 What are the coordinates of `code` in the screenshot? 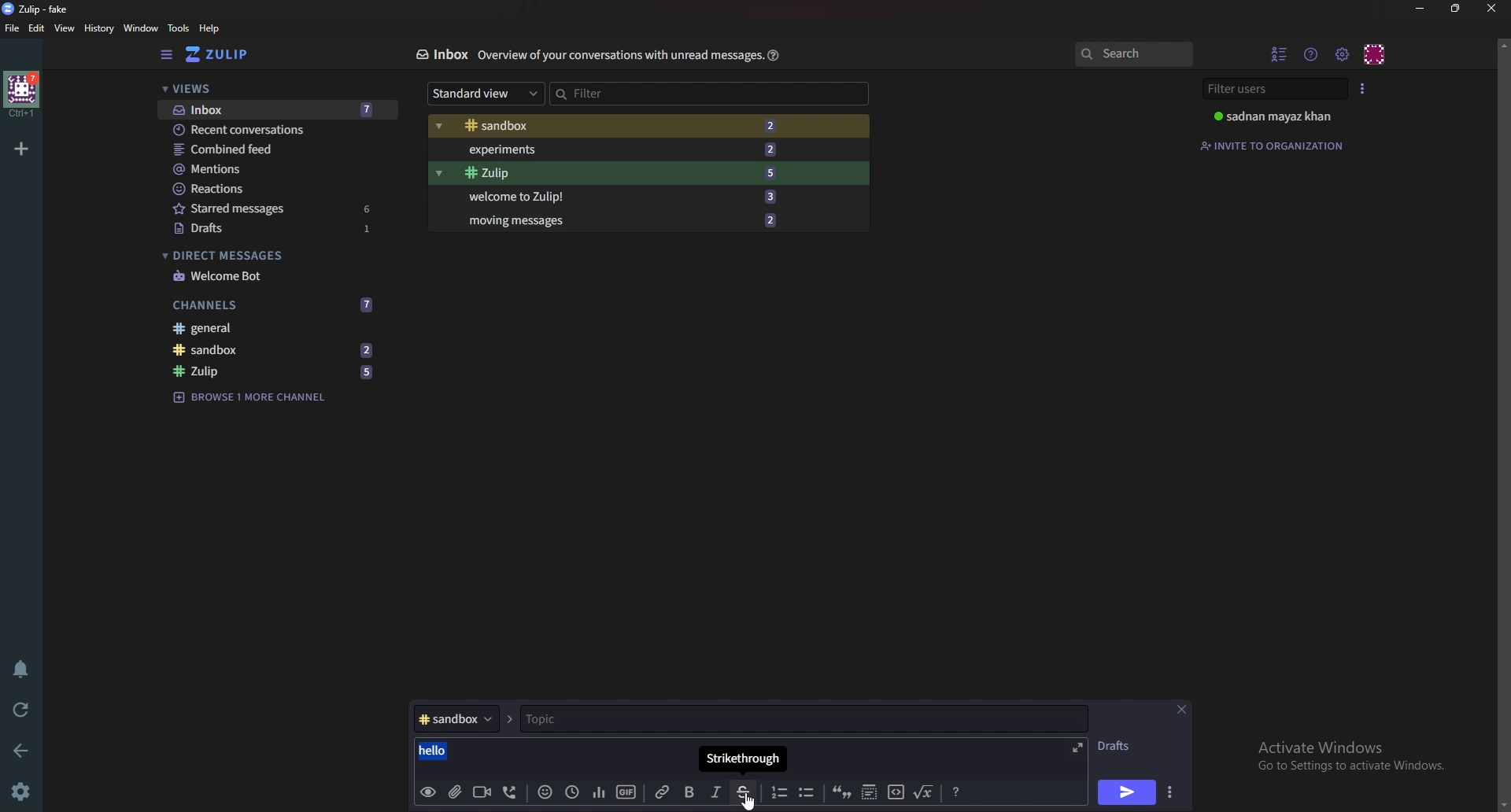 It's located at (893, 793).